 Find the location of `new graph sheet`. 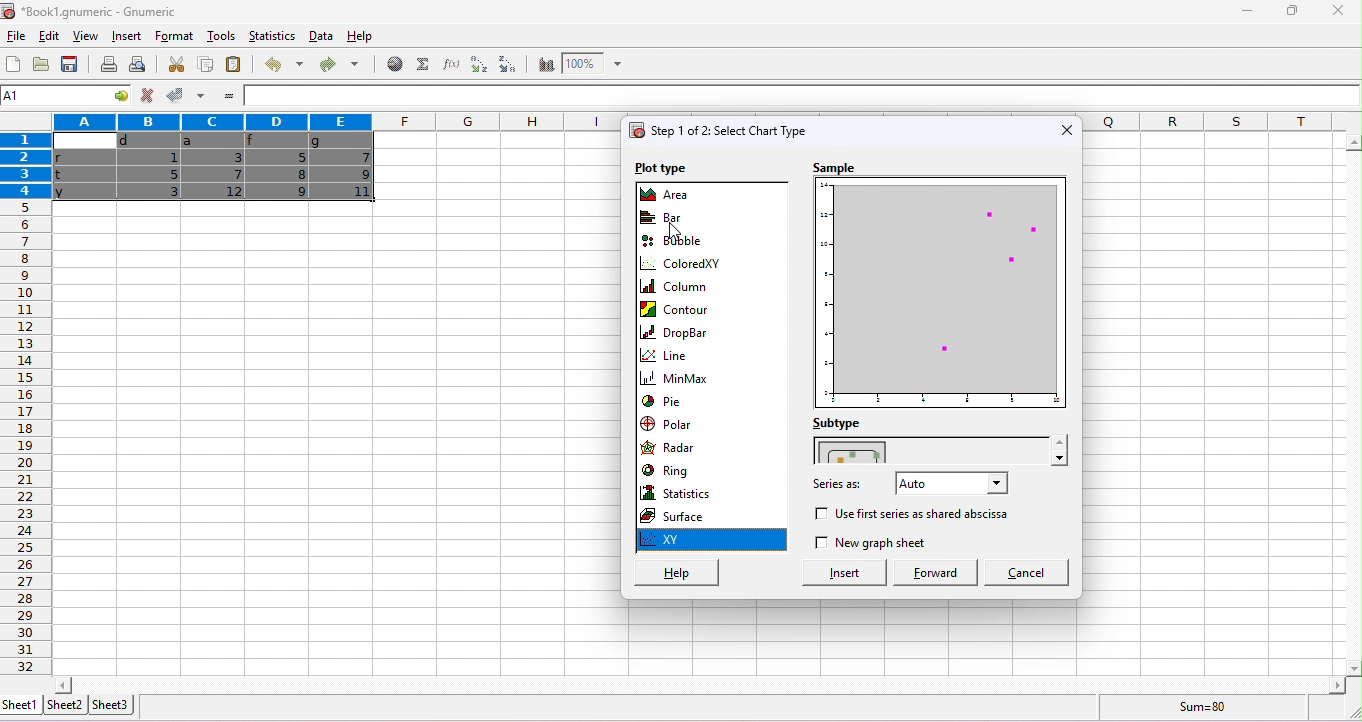

new graph sheet is located at coordinates (872, 544).